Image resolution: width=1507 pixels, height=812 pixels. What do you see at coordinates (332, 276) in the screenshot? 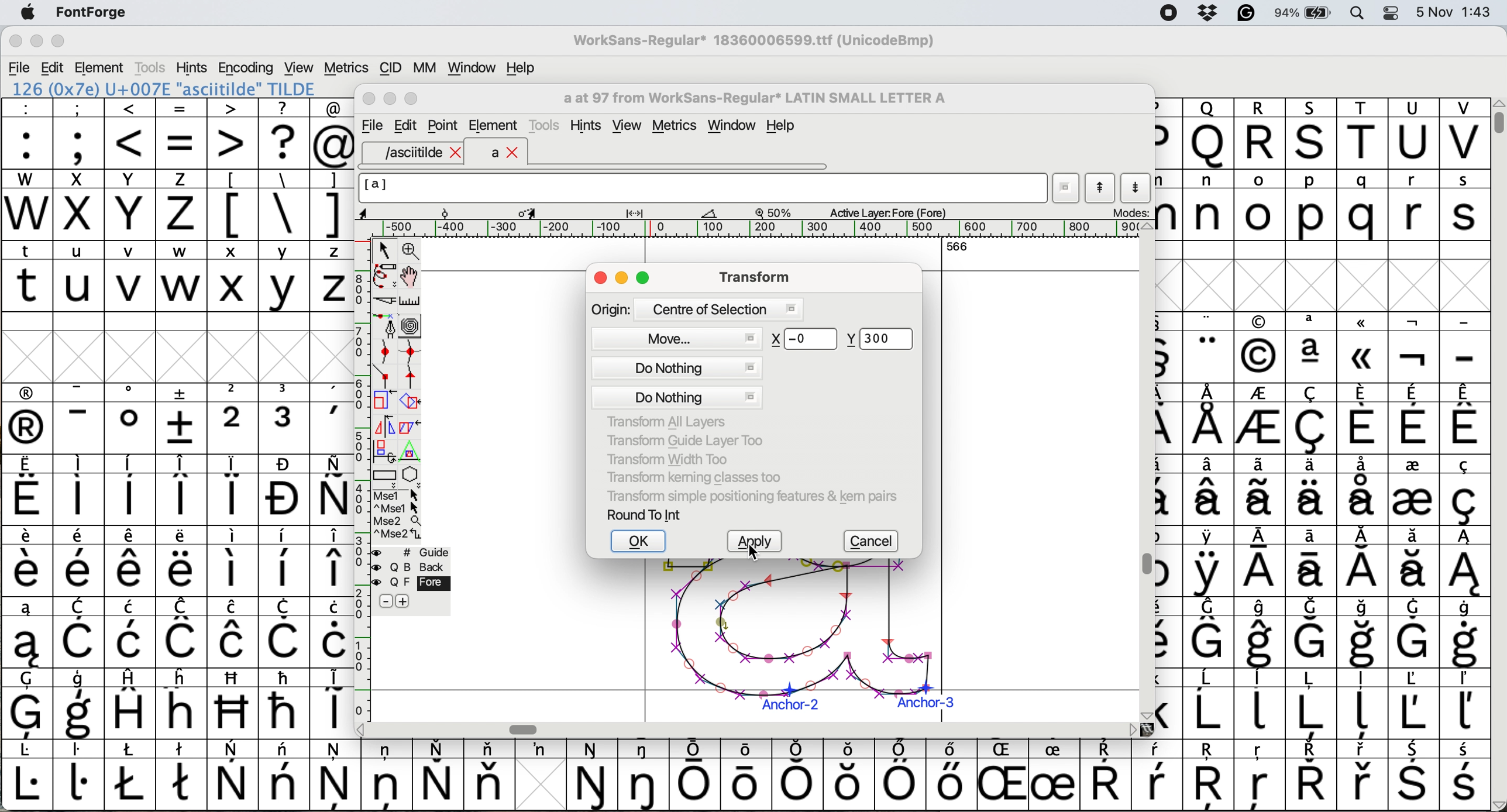
I see `z` at bounding box center [332, 276].